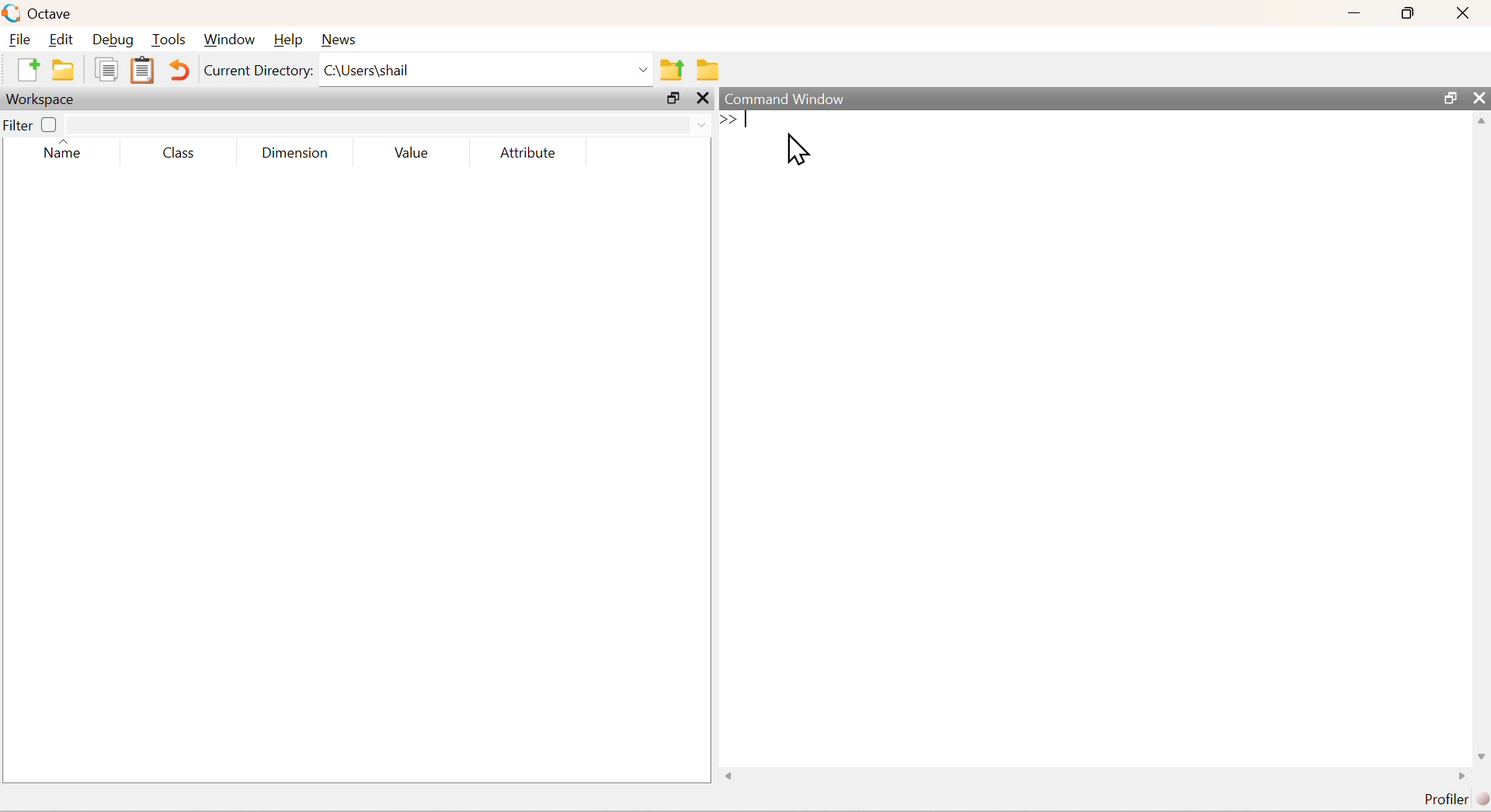 The height and width of the screenshot is (812, 1491). I want to click on Tools, so click(169, 41).